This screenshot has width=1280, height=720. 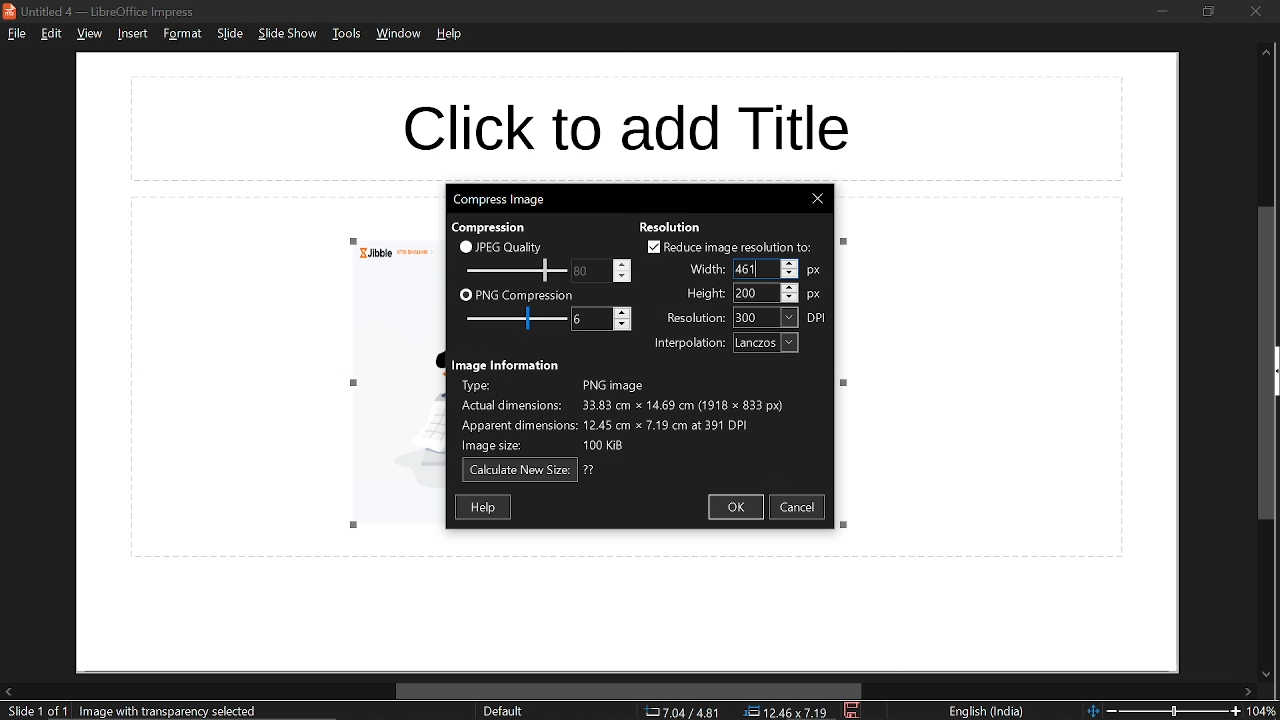 I want to click on help, so click(x=450, y=38).